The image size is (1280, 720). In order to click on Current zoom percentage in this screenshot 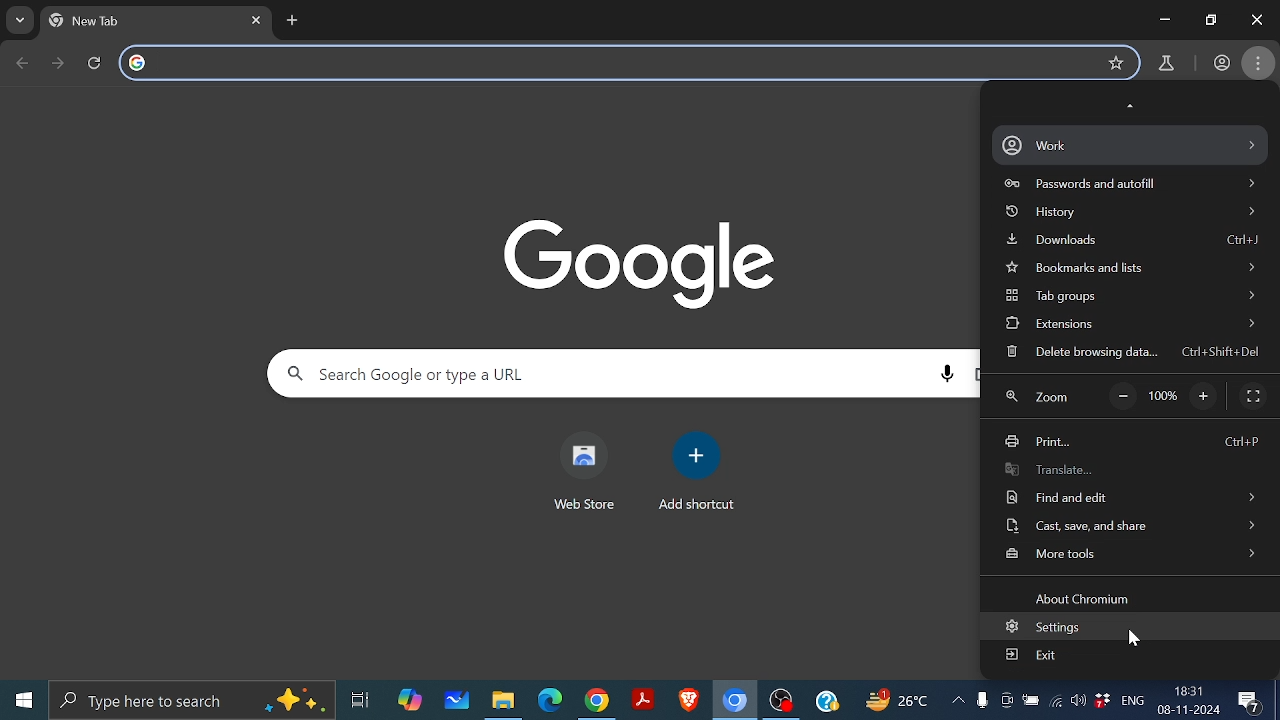, I will do `click(1165, 398)`.